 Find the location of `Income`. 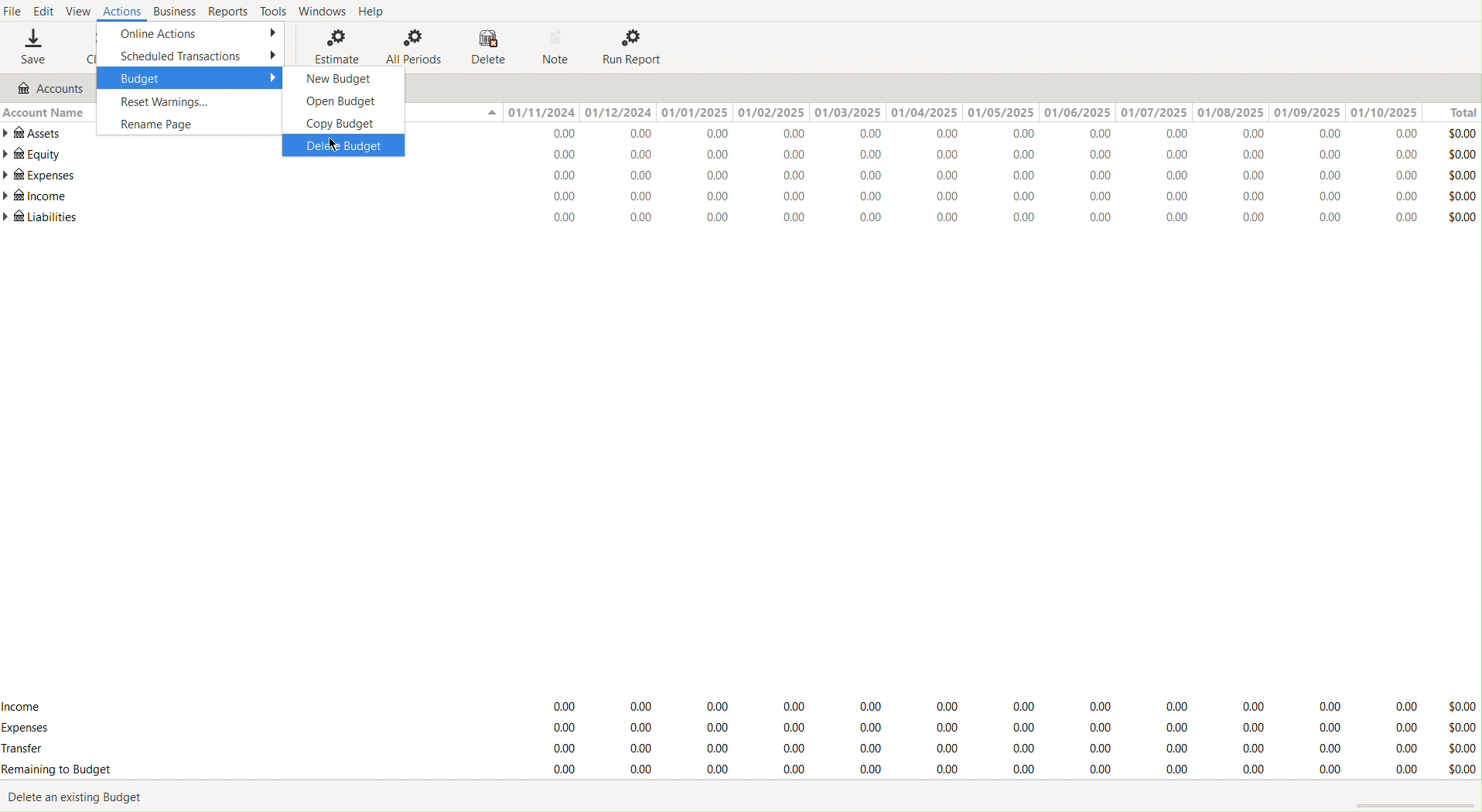

Income is located at coordinates (984, 198).